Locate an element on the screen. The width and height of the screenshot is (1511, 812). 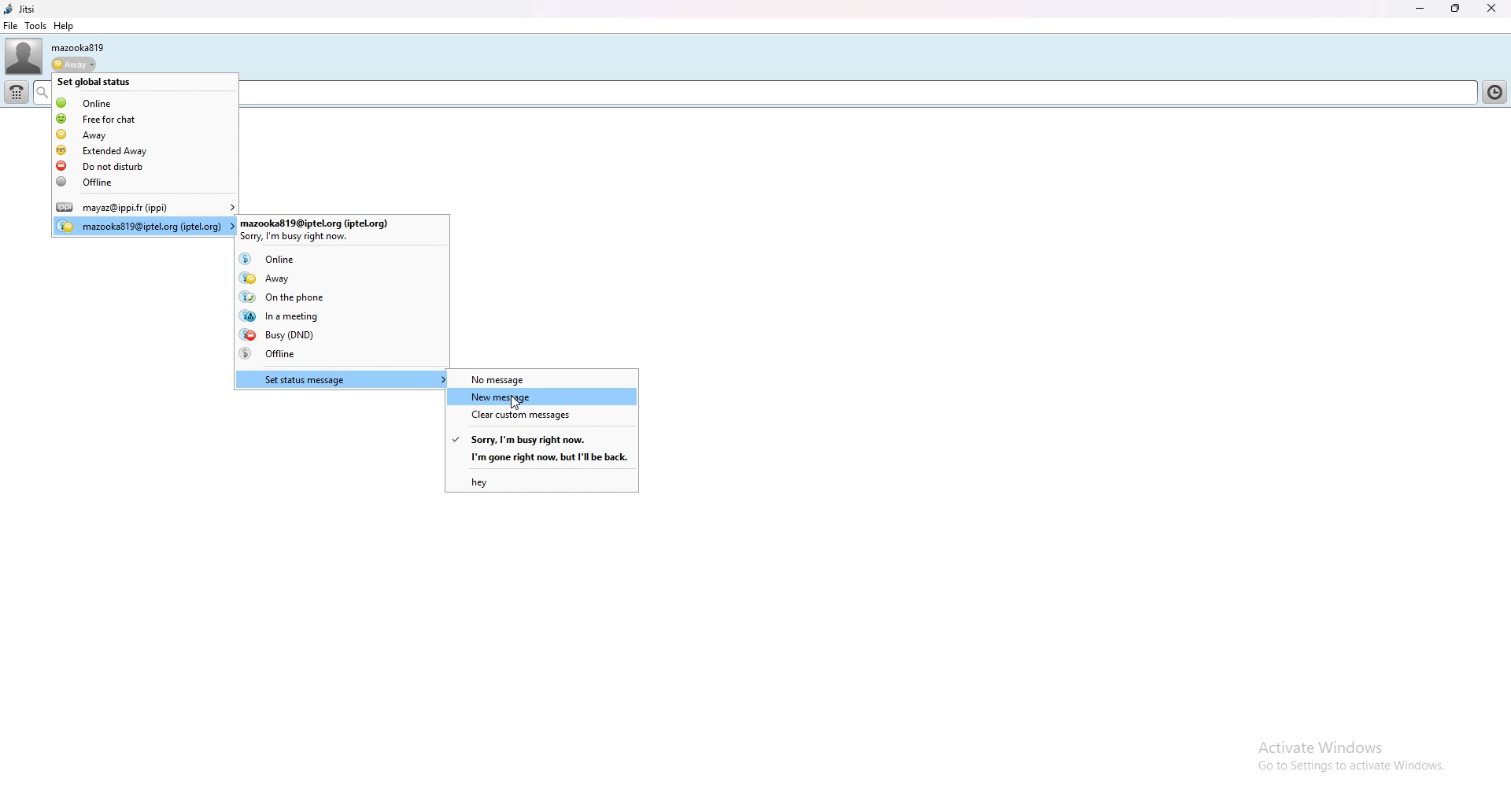
extended away is located at coordinates (144, 150).